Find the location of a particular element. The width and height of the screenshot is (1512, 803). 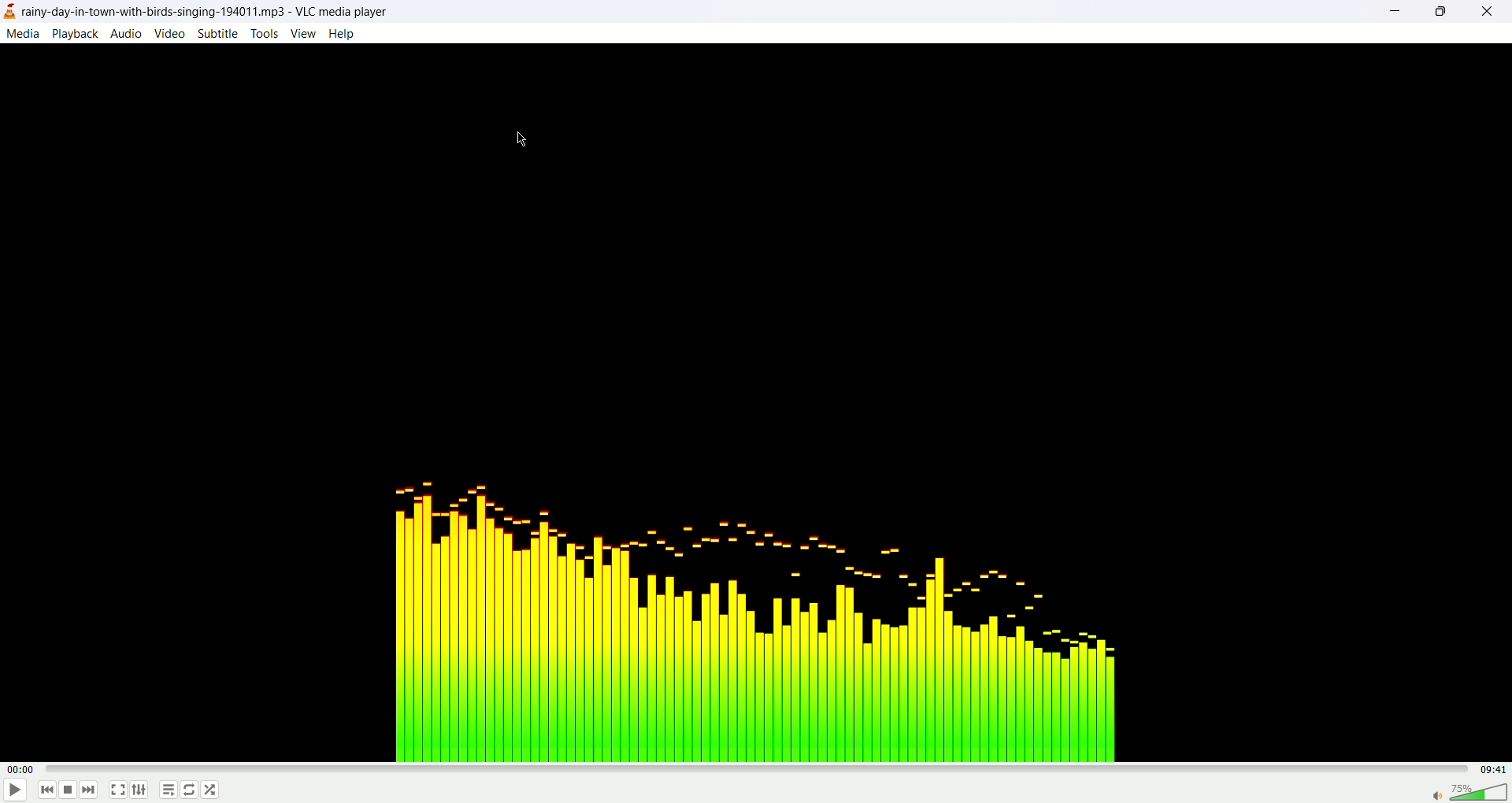

audio is located at coordinates (128, 34).